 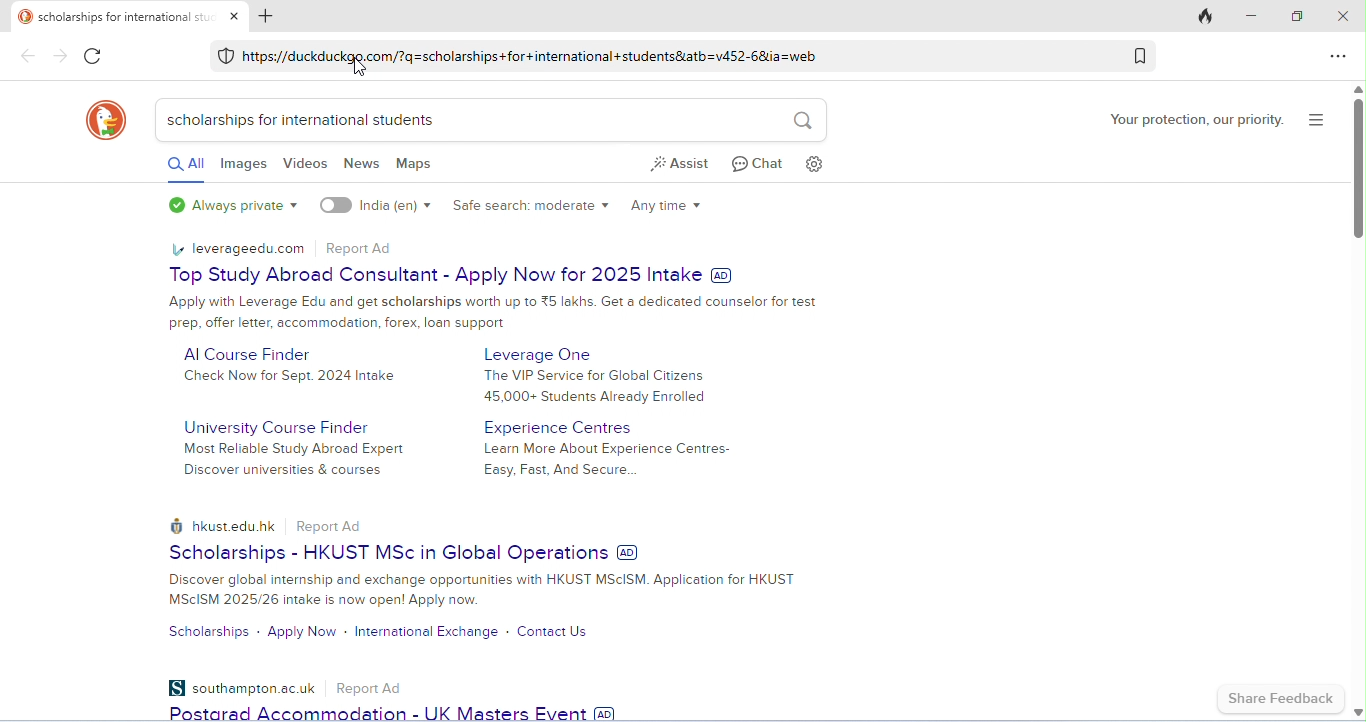 What do you see at coordinates (208, 631) in the screenshot?
I see `scholarships` at bounding box center [208, 631].